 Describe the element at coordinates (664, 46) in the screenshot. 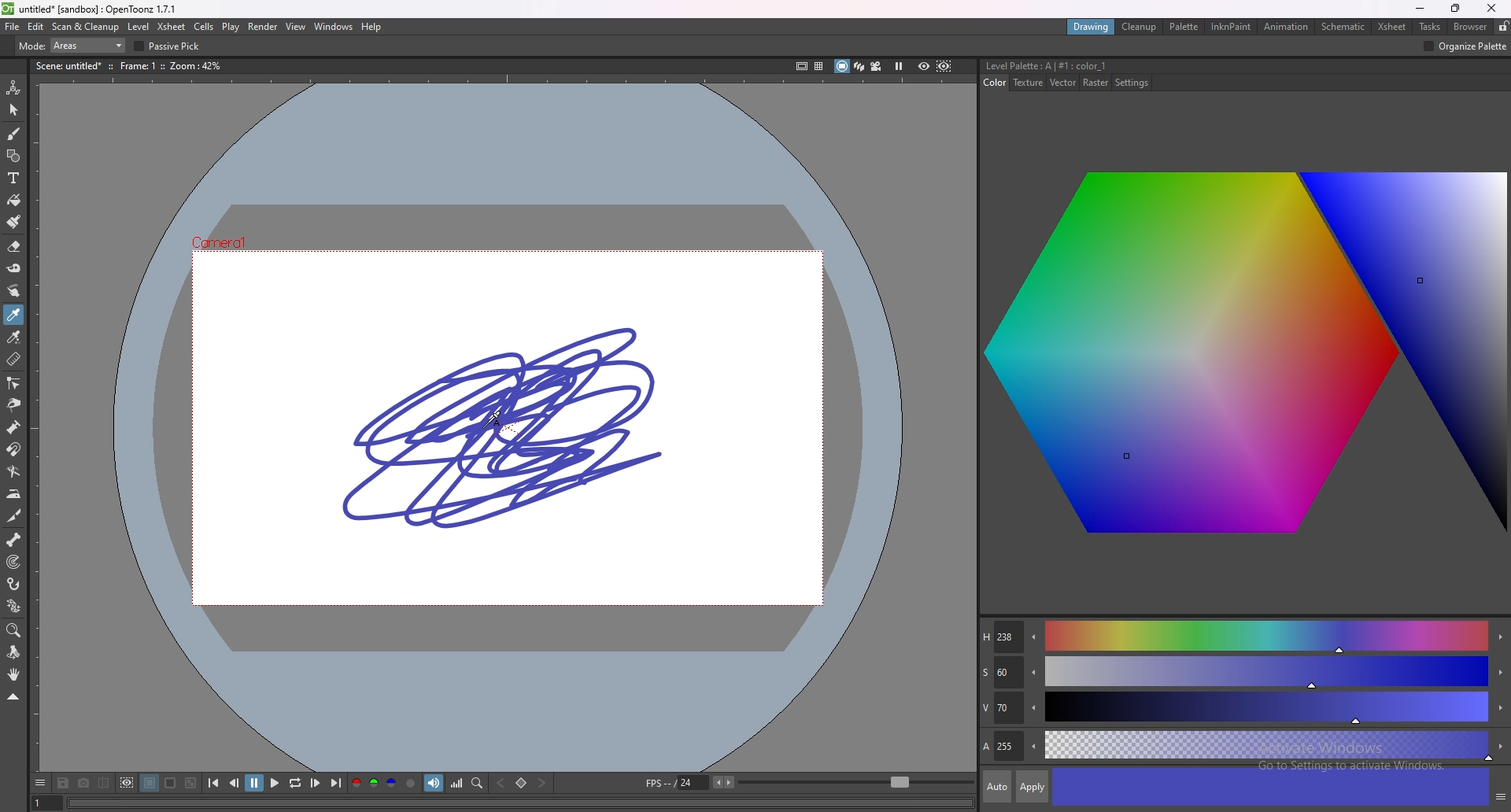

I see `vertical` at that location.